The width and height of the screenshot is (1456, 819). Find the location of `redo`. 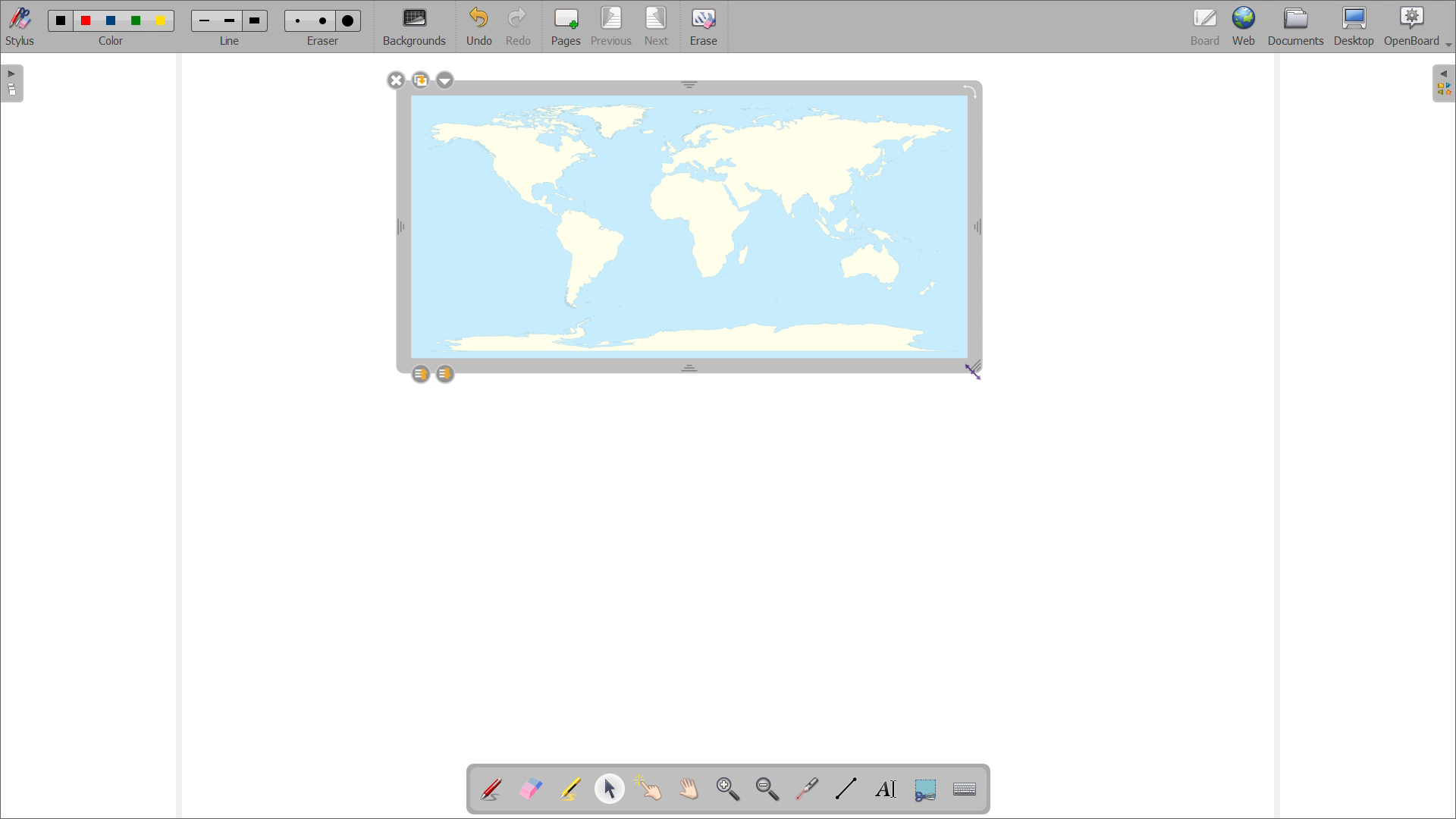

redo is located at coordinates (518, 26).